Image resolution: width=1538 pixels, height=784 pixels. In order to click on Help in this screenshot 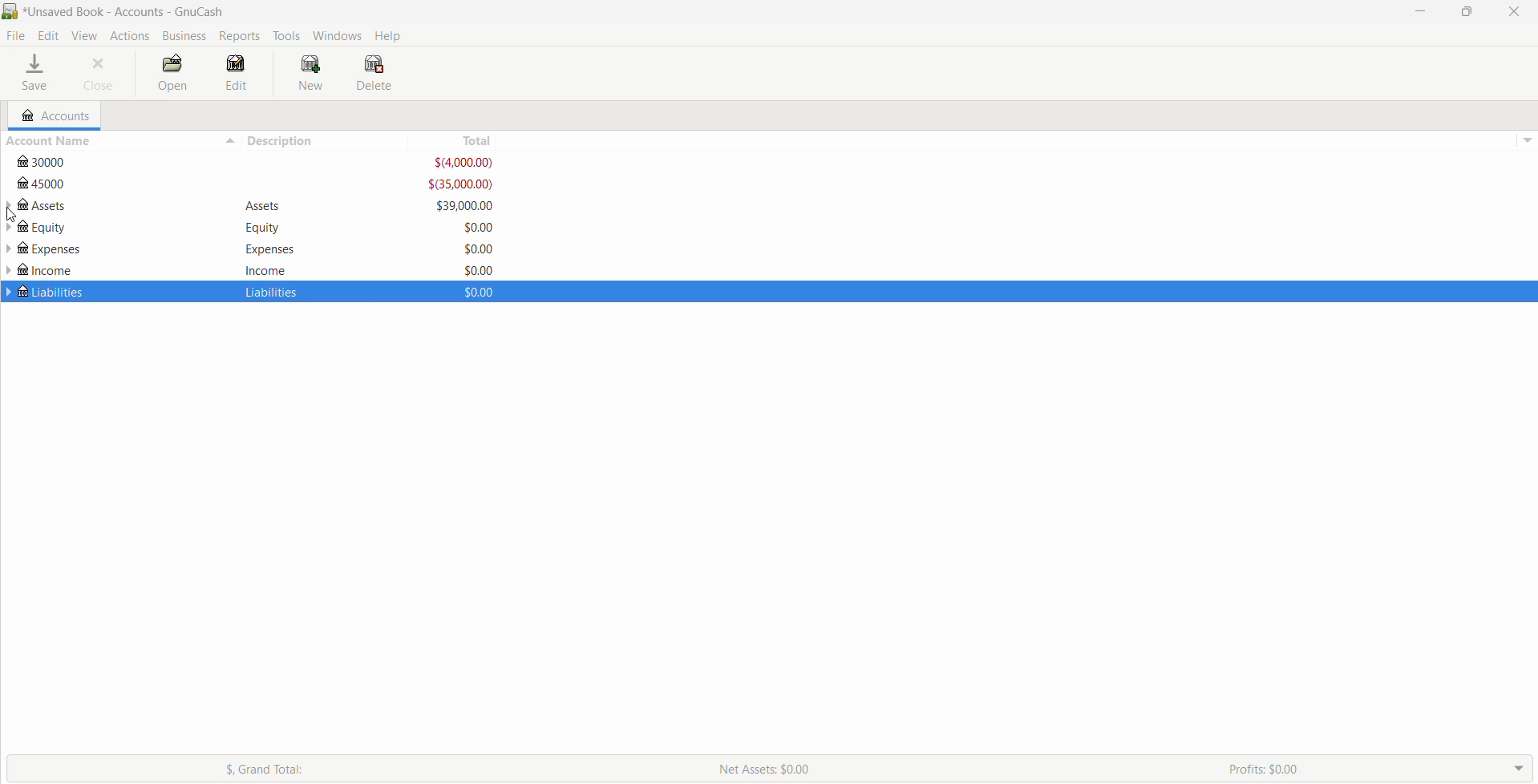, I will do `click(390, 35)`.